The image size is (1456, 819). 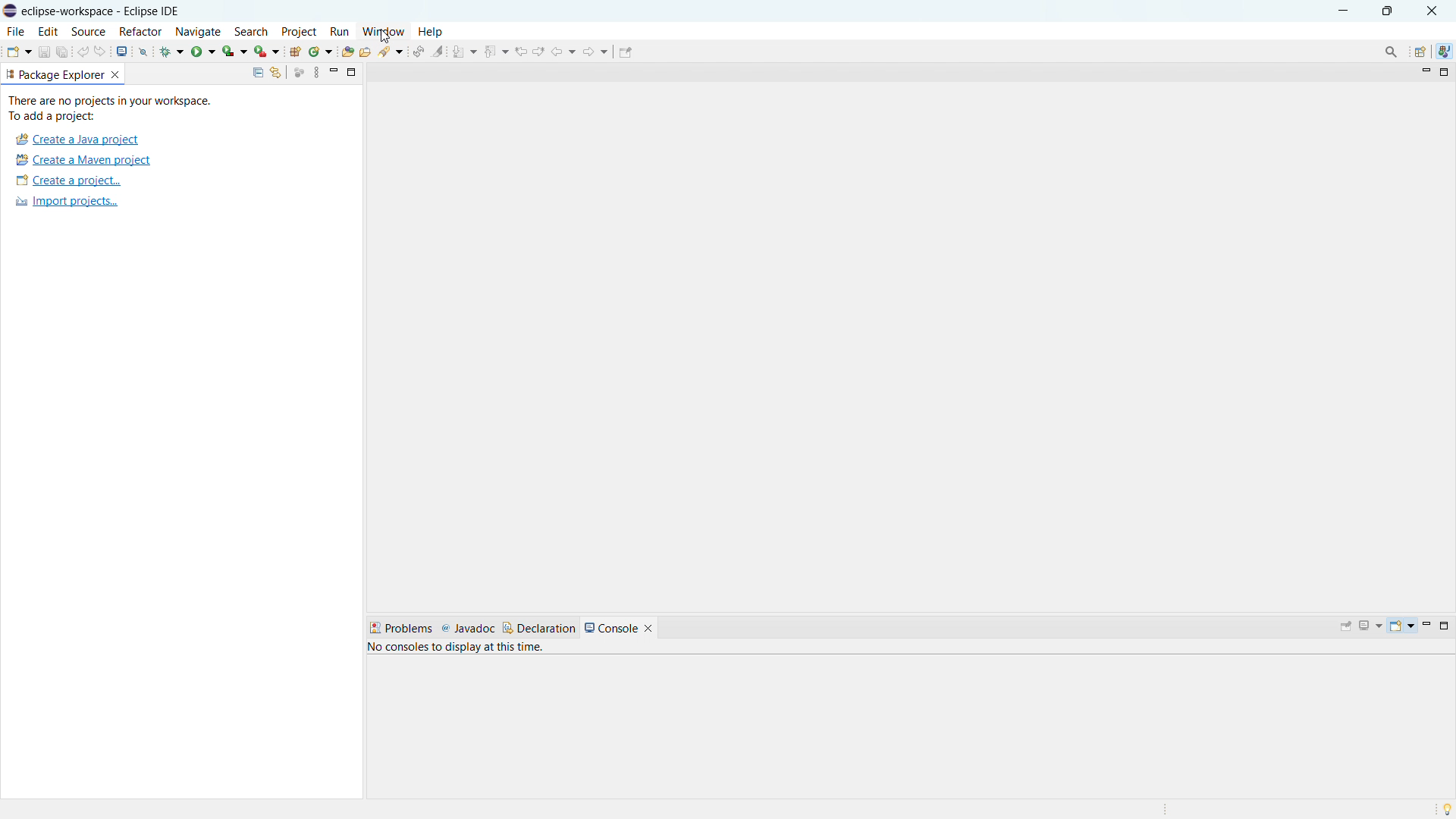 I want to click on back, so click(x=563, y=52).